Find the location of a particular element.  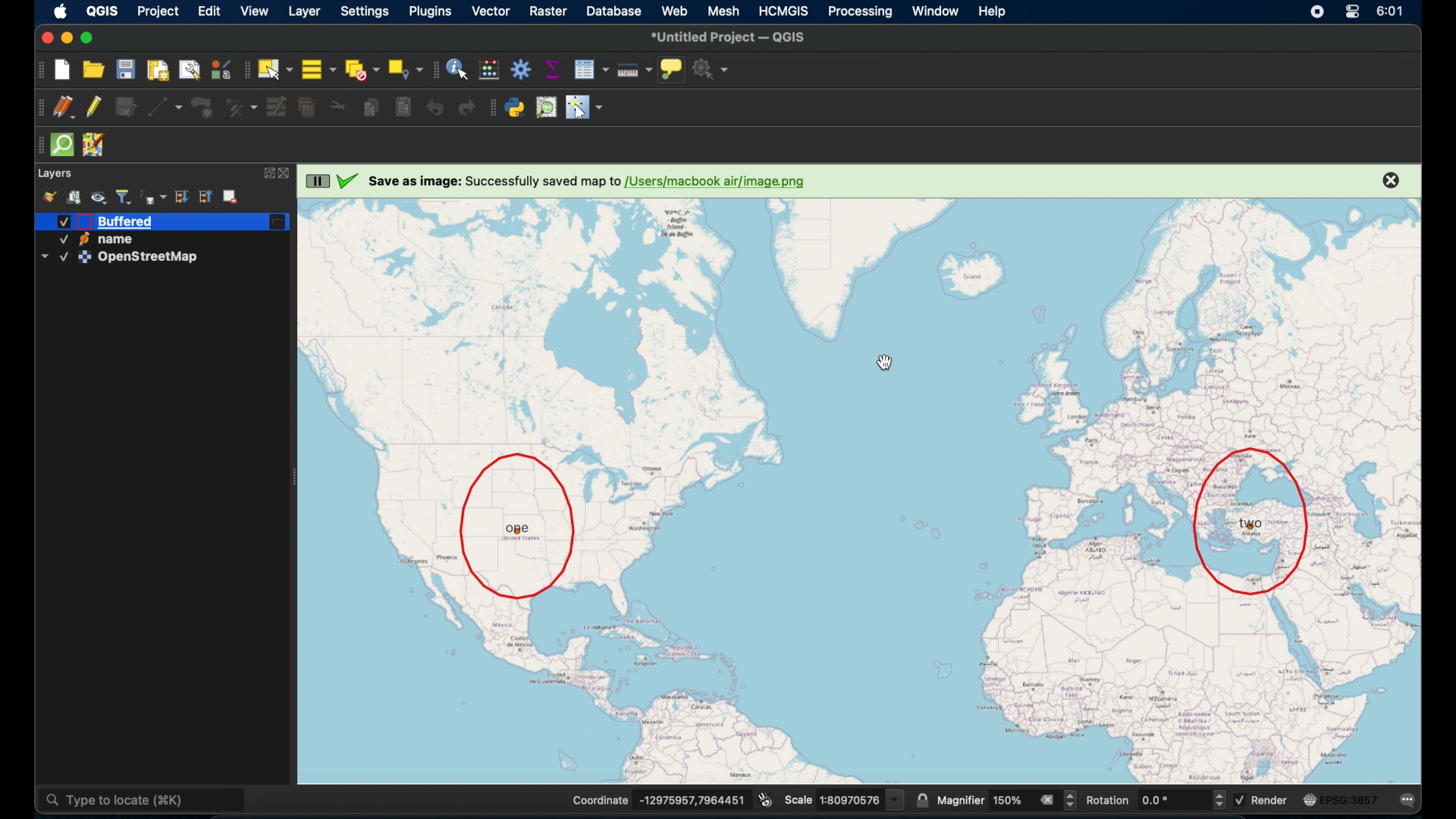

drag handle is located at coordinates (37, 145).